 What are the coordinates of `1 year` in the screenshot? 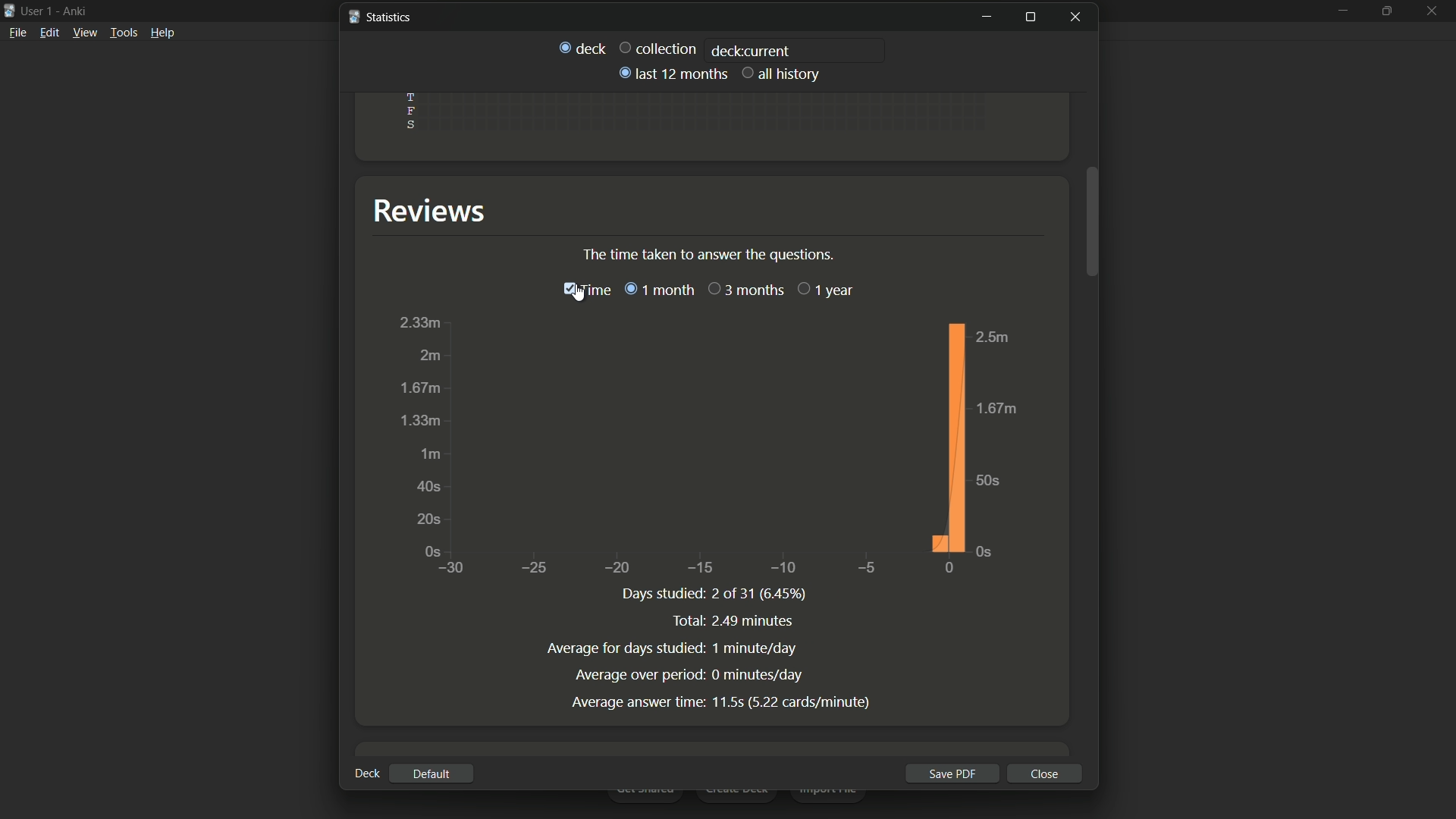 It's located at (826, 290).